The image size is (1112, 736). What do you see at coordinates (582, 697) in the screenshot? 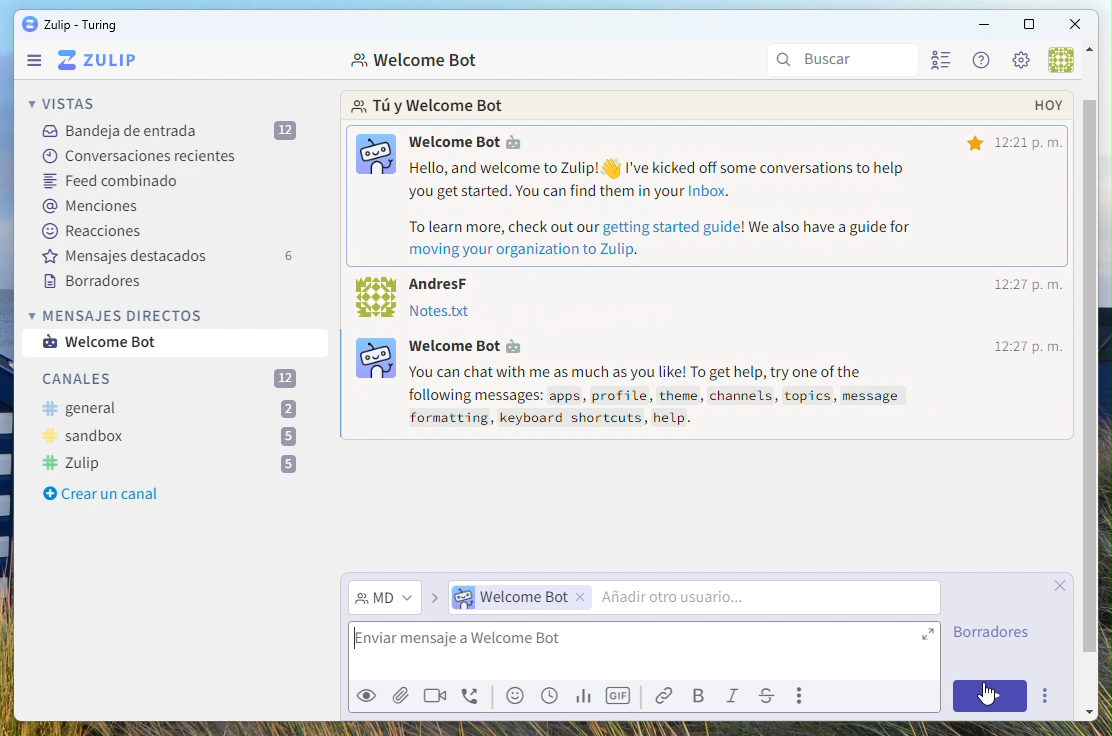
I see `stats` at bounding box center [582, 697].